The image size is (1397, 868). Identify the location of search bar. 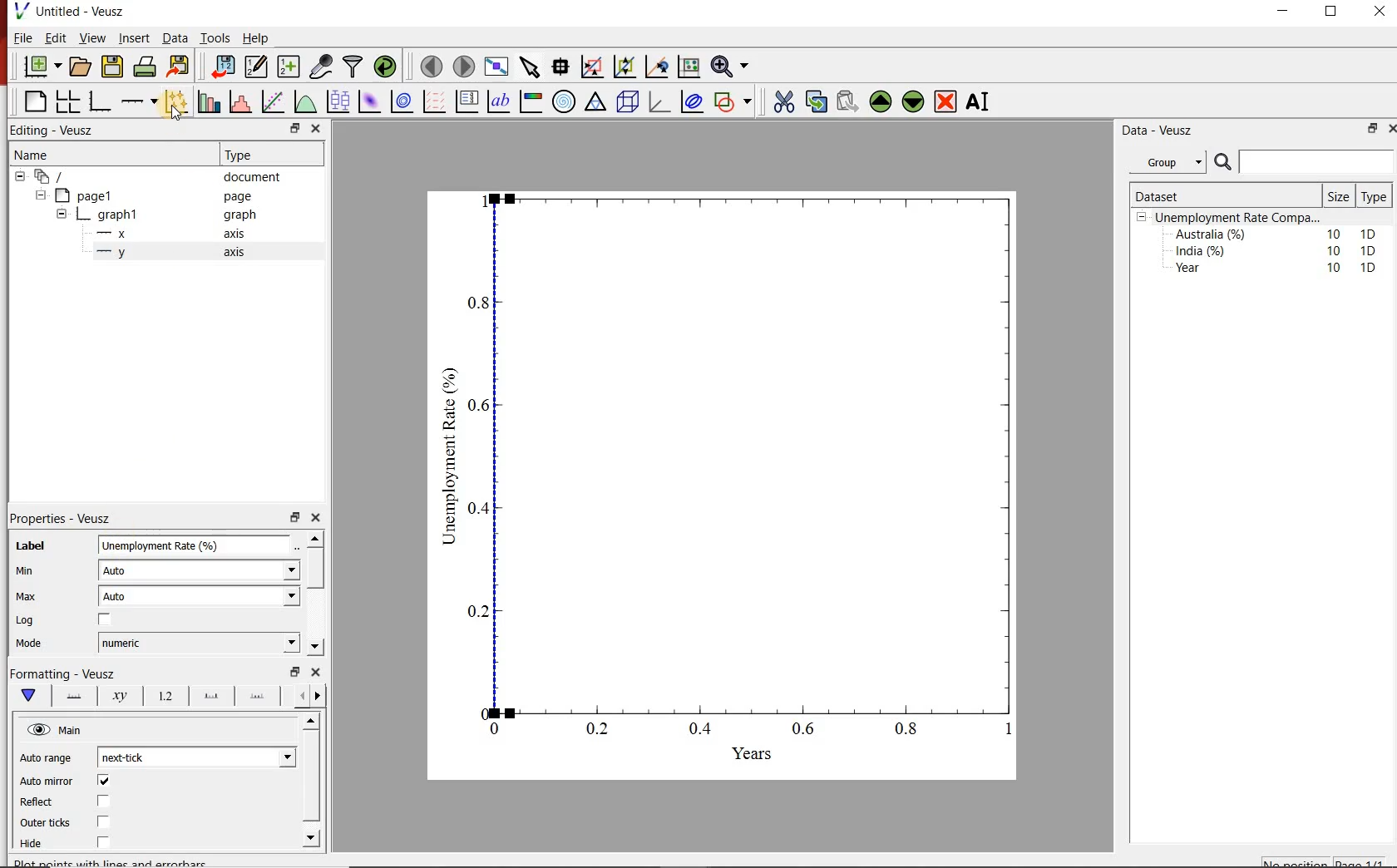
(1302, 162).